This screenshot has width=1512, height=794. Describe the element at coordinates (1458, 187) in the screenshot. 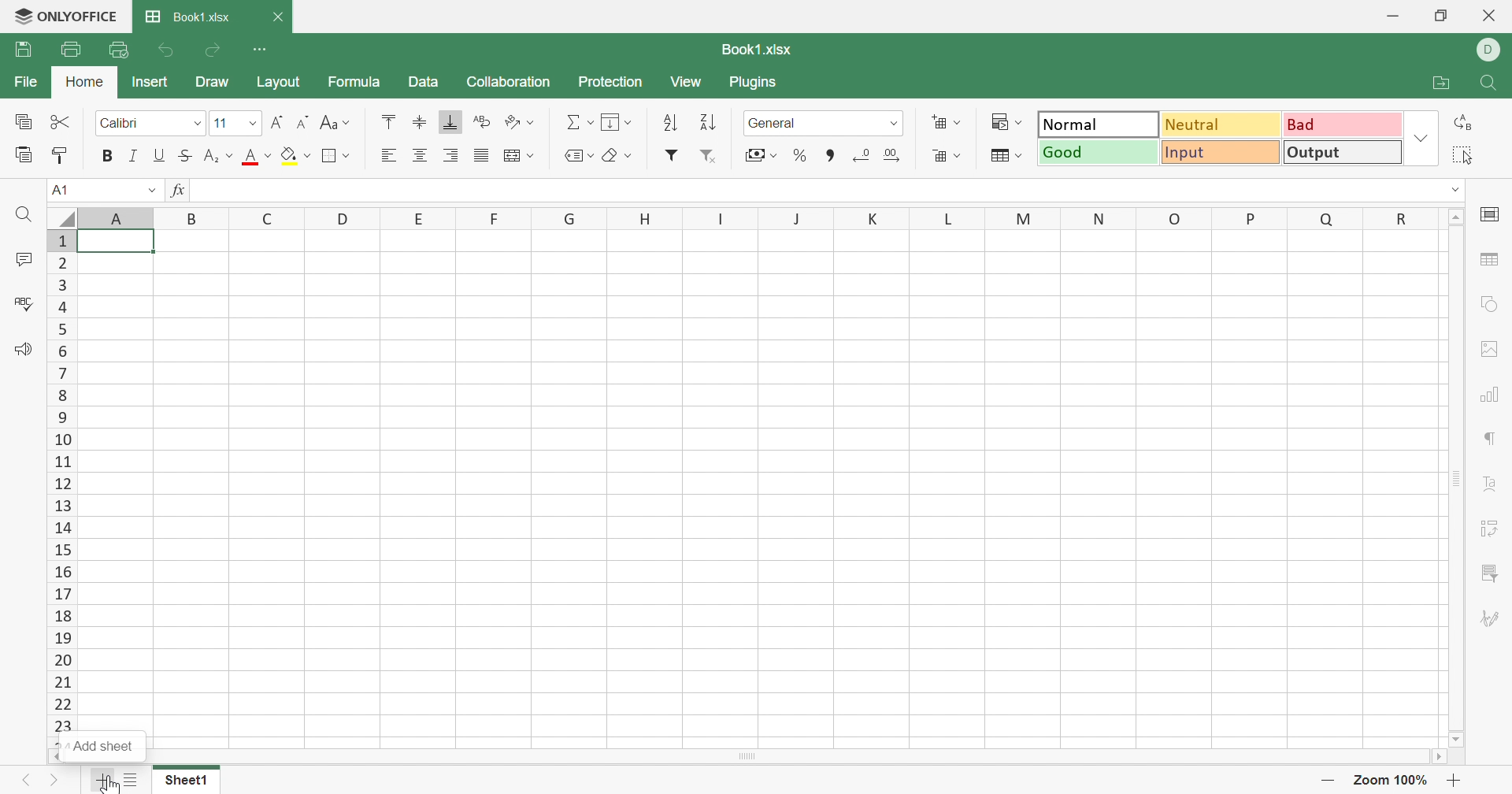

I see `Drop Down` at that location.